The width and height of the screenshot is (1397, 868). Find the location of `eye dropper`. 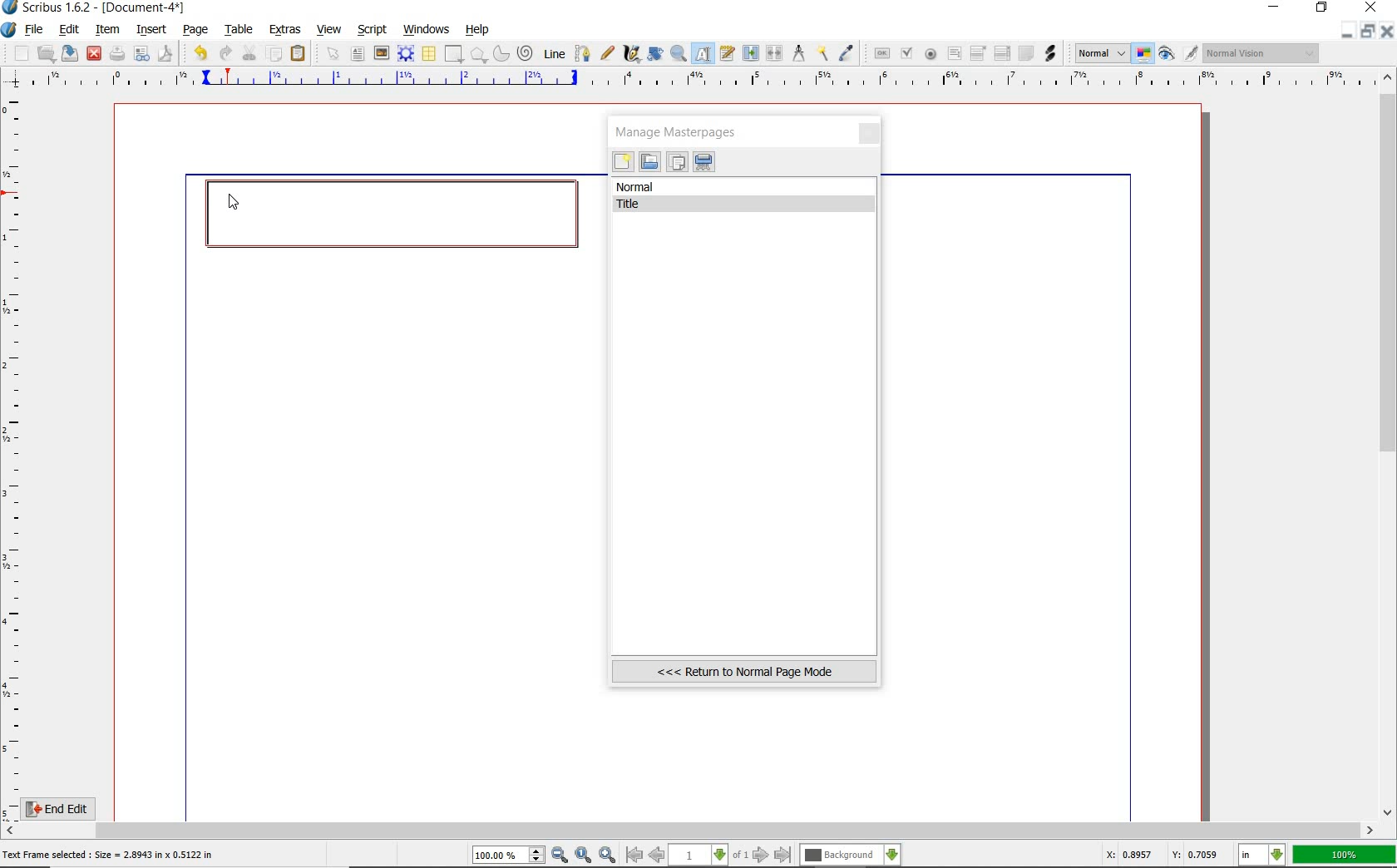

eye dropper is located at coordinates (847, 53).